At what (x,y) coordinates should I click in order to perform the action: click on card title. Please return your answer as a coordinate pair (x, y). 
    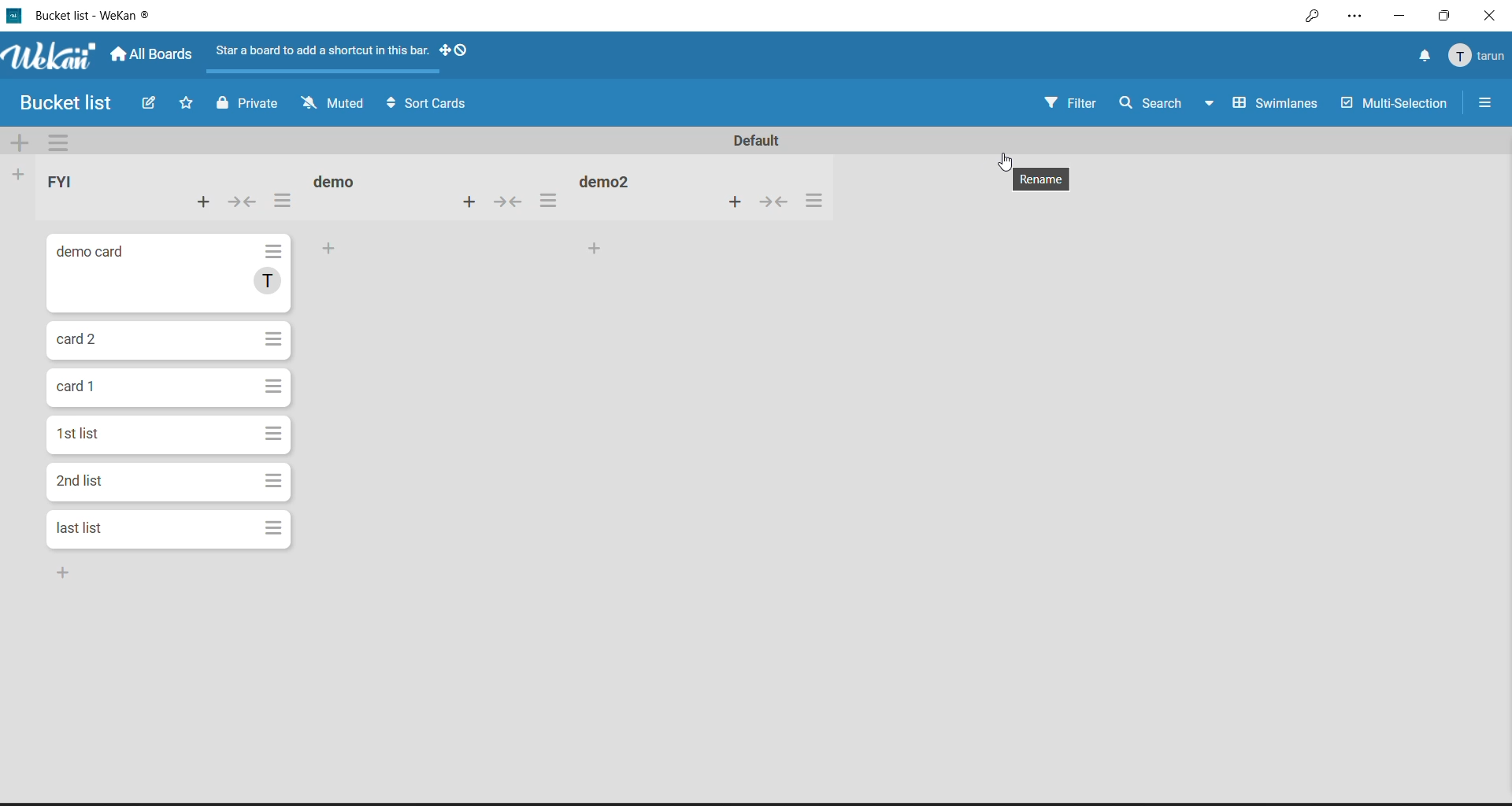
    Looking at the image, I should click on (84, 391).